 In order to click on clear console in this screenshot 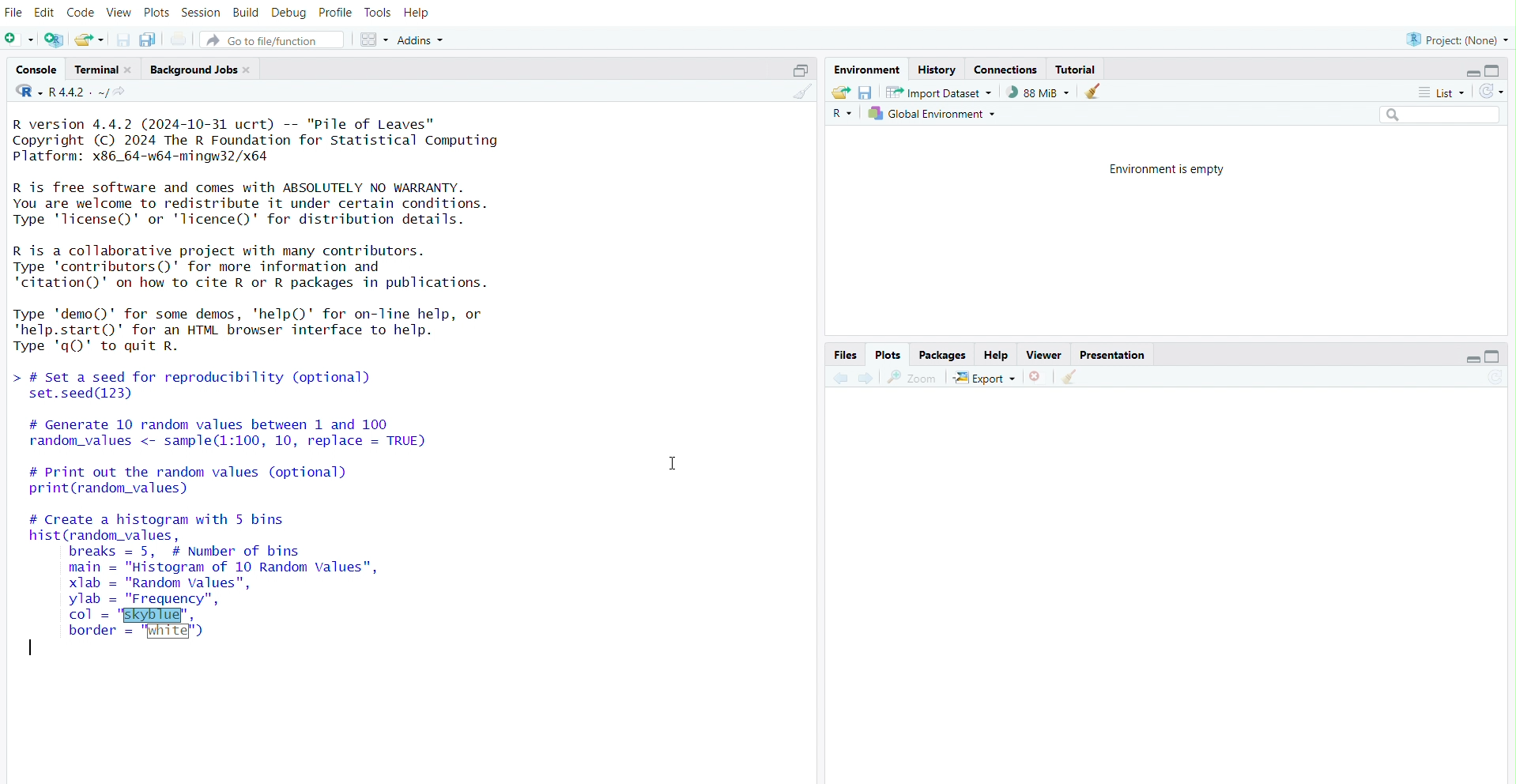, I will do `click(799, 92)`.